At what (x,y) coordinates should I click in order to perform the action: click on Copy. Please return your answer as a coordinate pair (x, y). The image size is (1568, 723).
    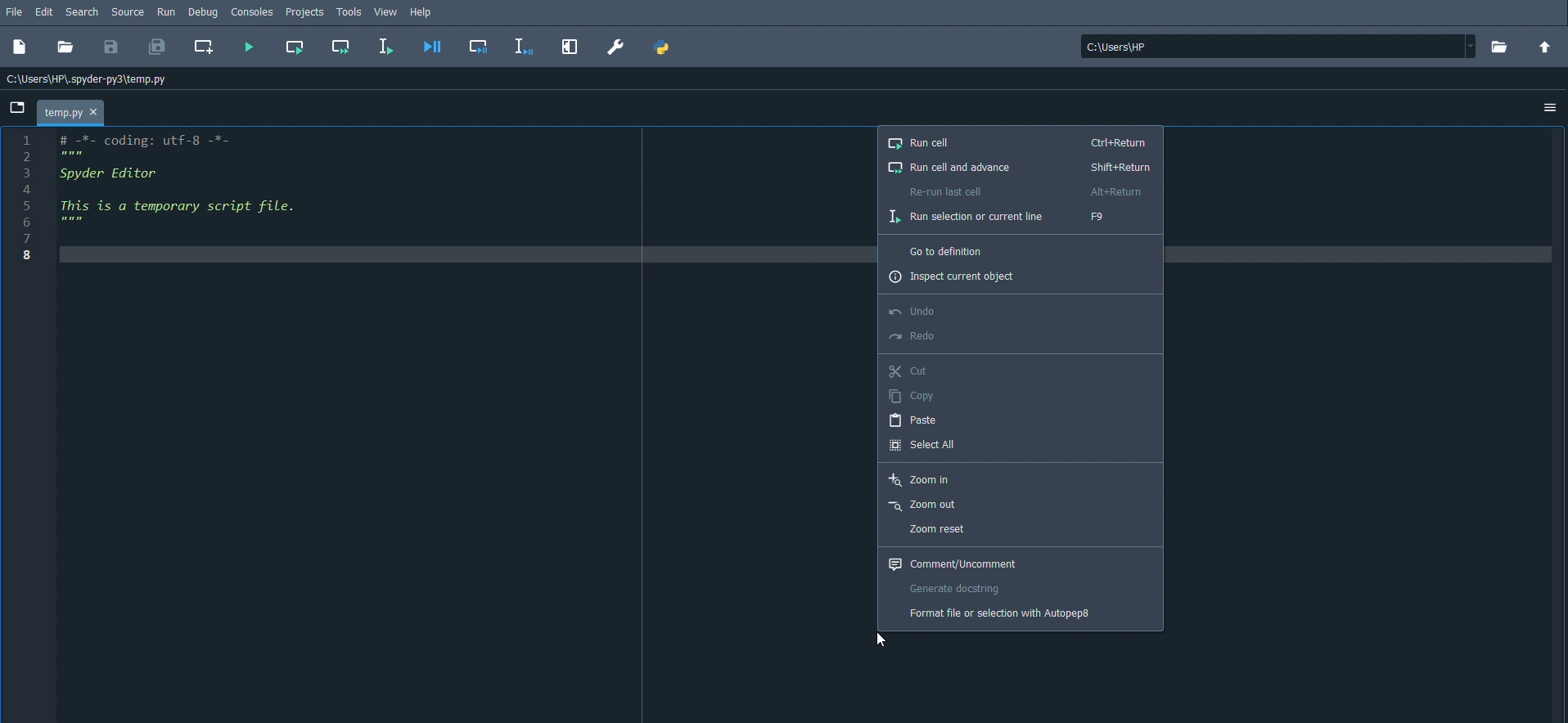
    Looking at the image, I should click on (911, 396).